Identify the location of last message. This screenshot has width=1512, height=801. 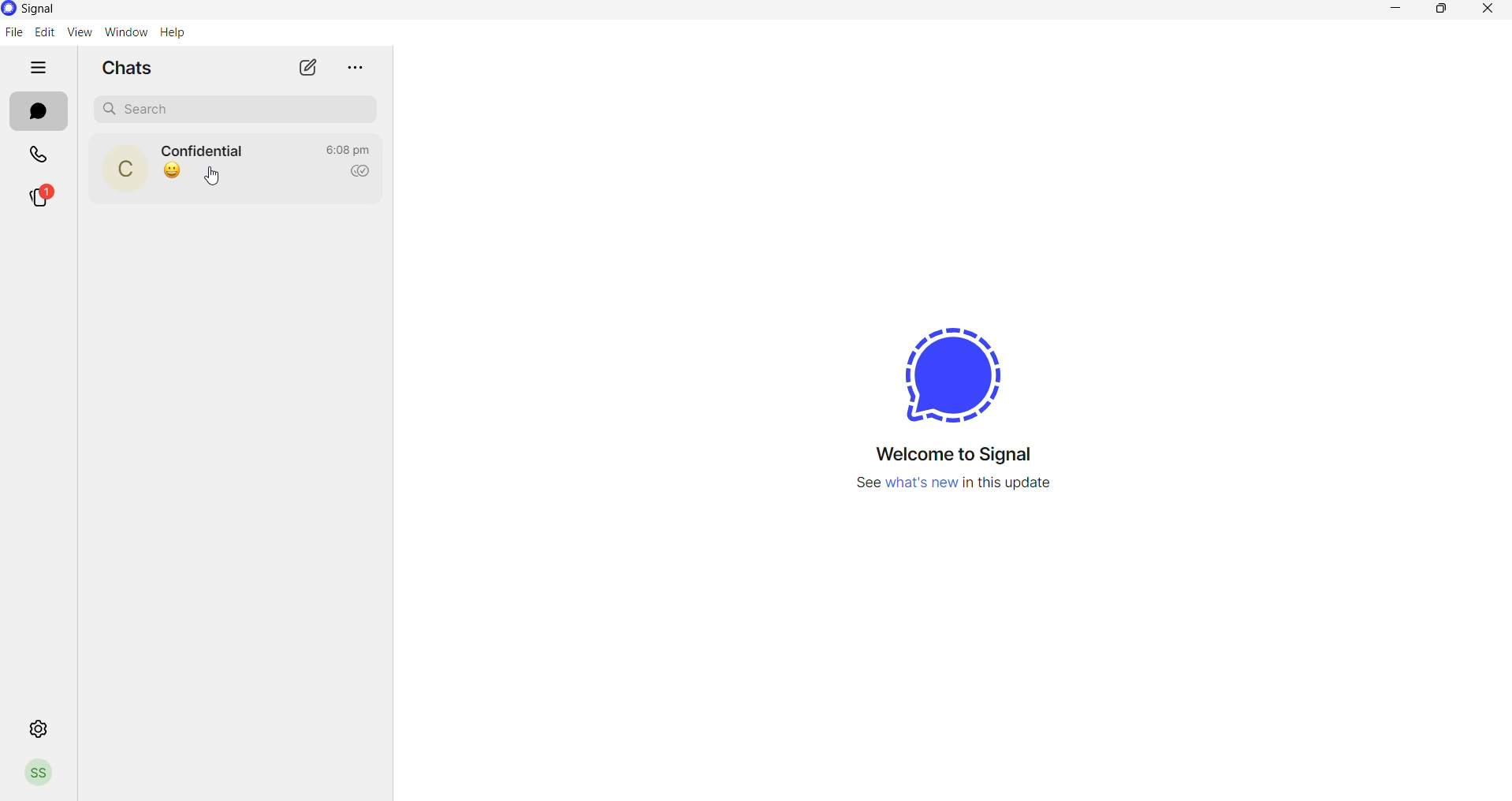
(173, 172).